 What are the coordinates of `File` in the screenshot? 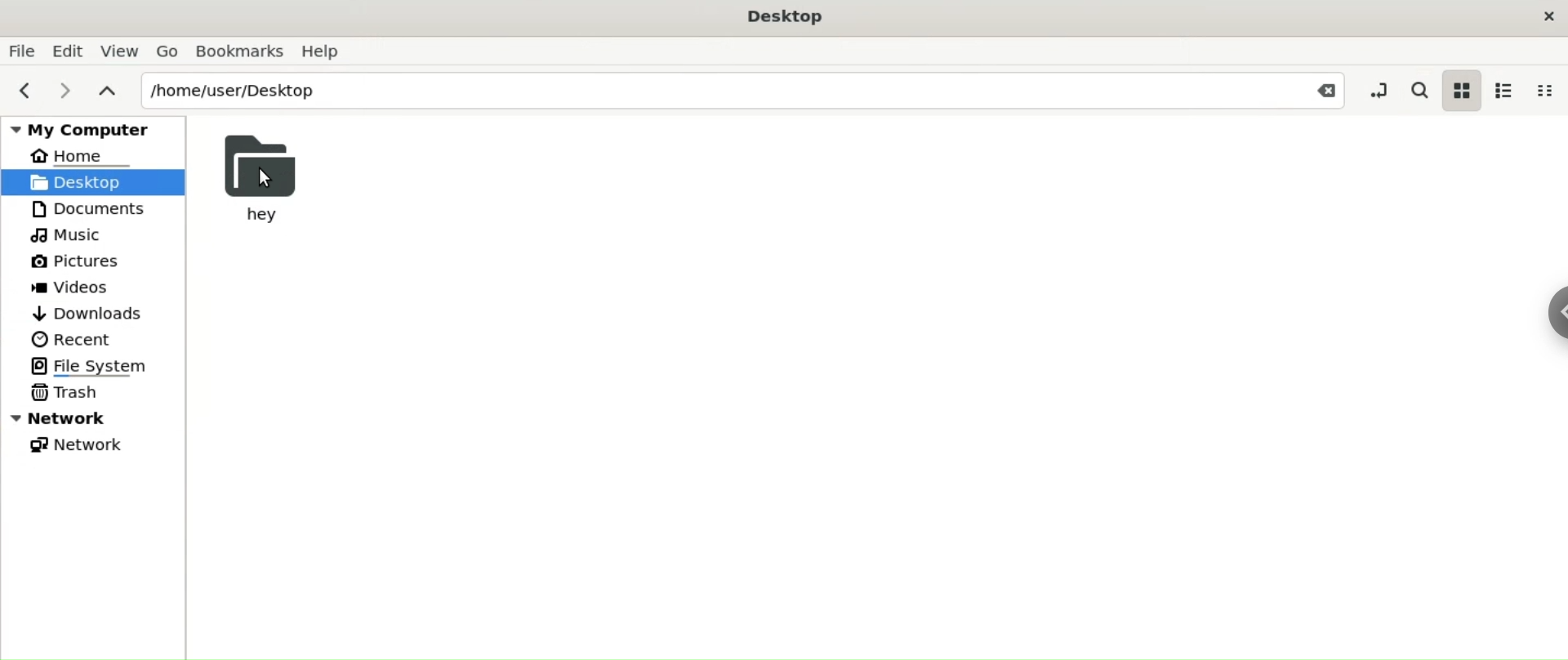 It's located at (22, 50).